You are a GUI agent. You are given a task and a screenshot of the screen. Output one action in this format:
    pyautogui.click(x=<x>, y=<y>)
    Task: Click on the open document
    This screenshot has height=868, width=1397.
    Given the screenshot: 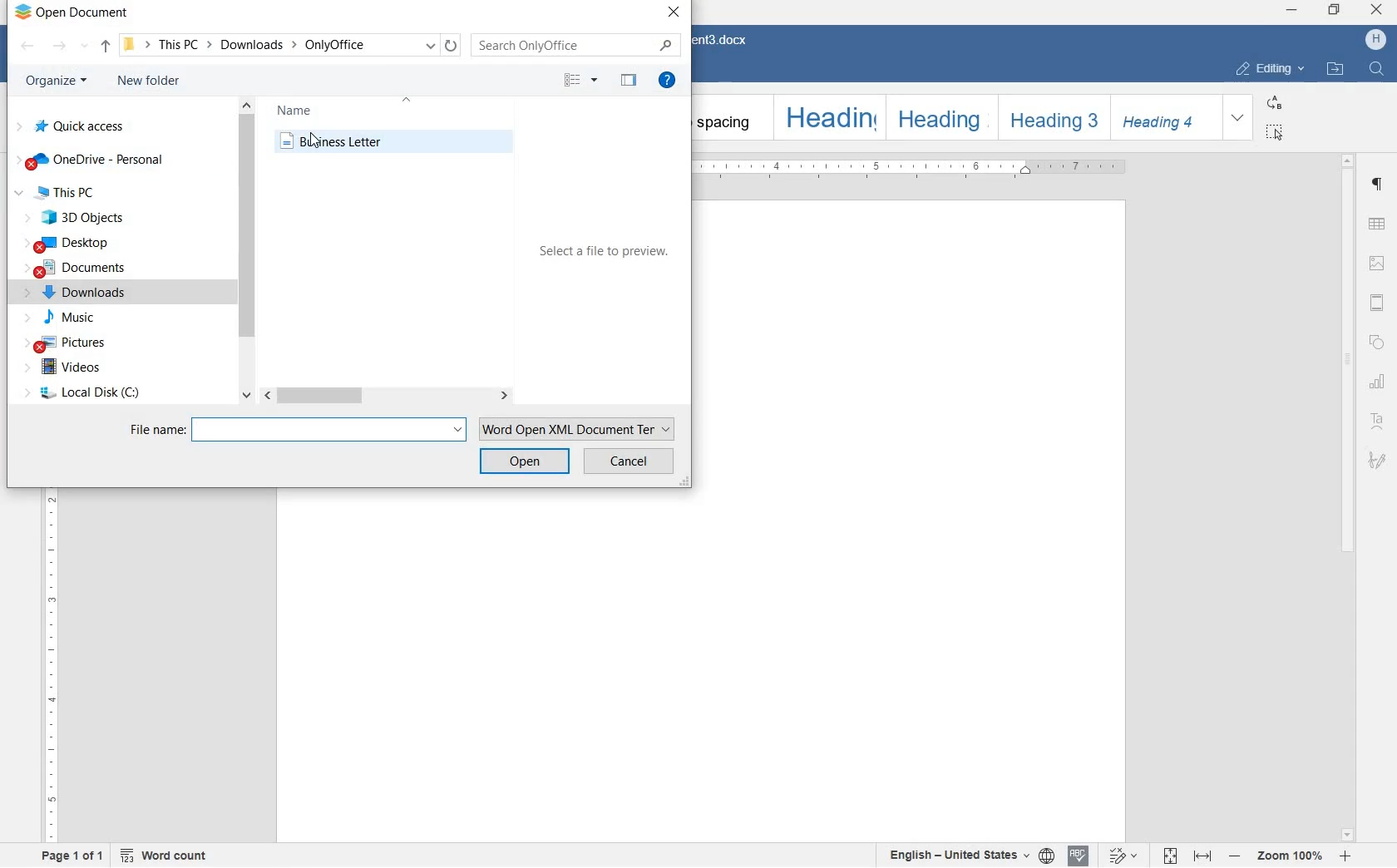 What is the action you would take?
    pyautogui.click(x=77, y=15)
    